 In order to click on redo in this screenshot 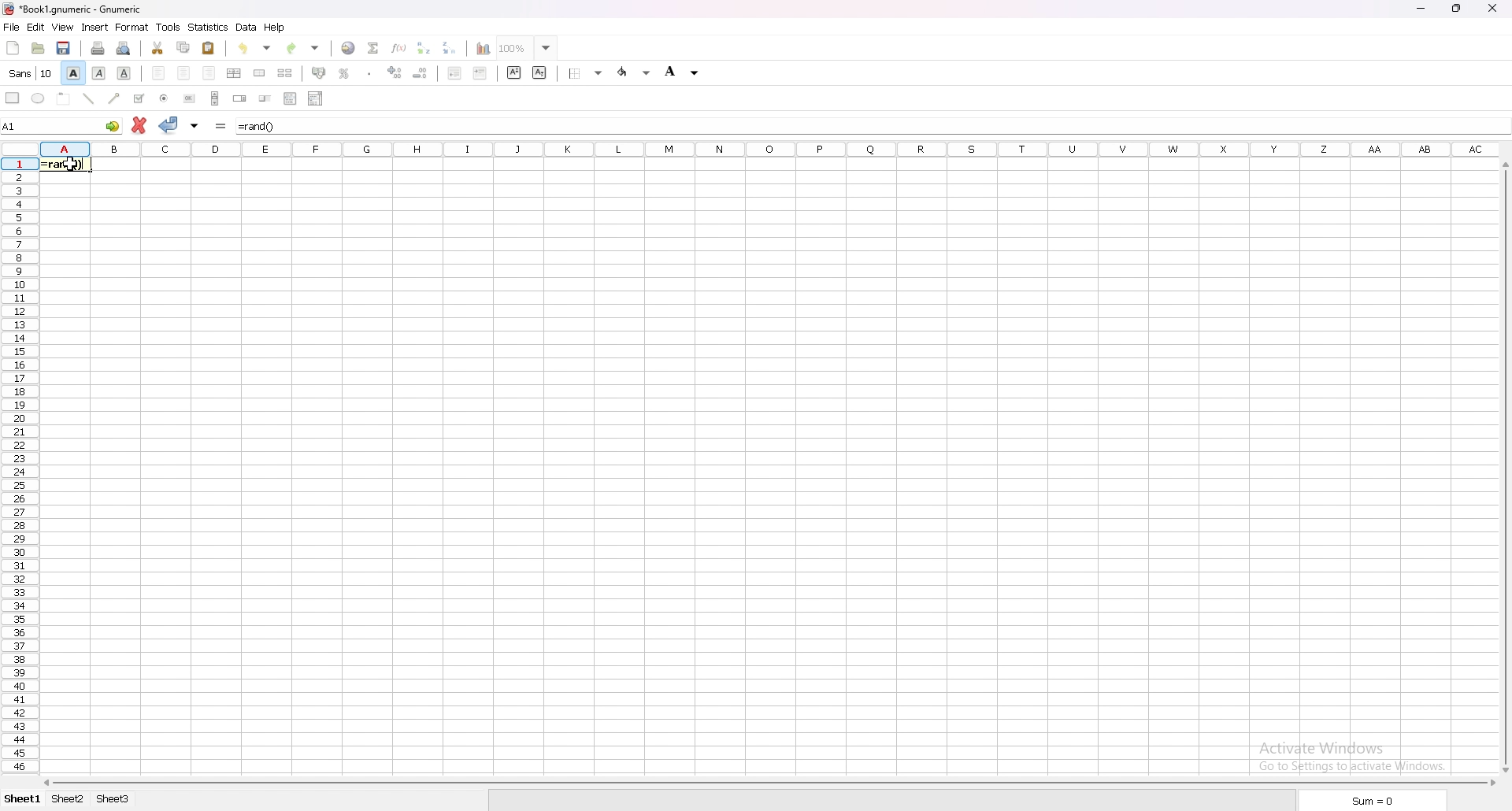, I will do `click(302, 48)`.